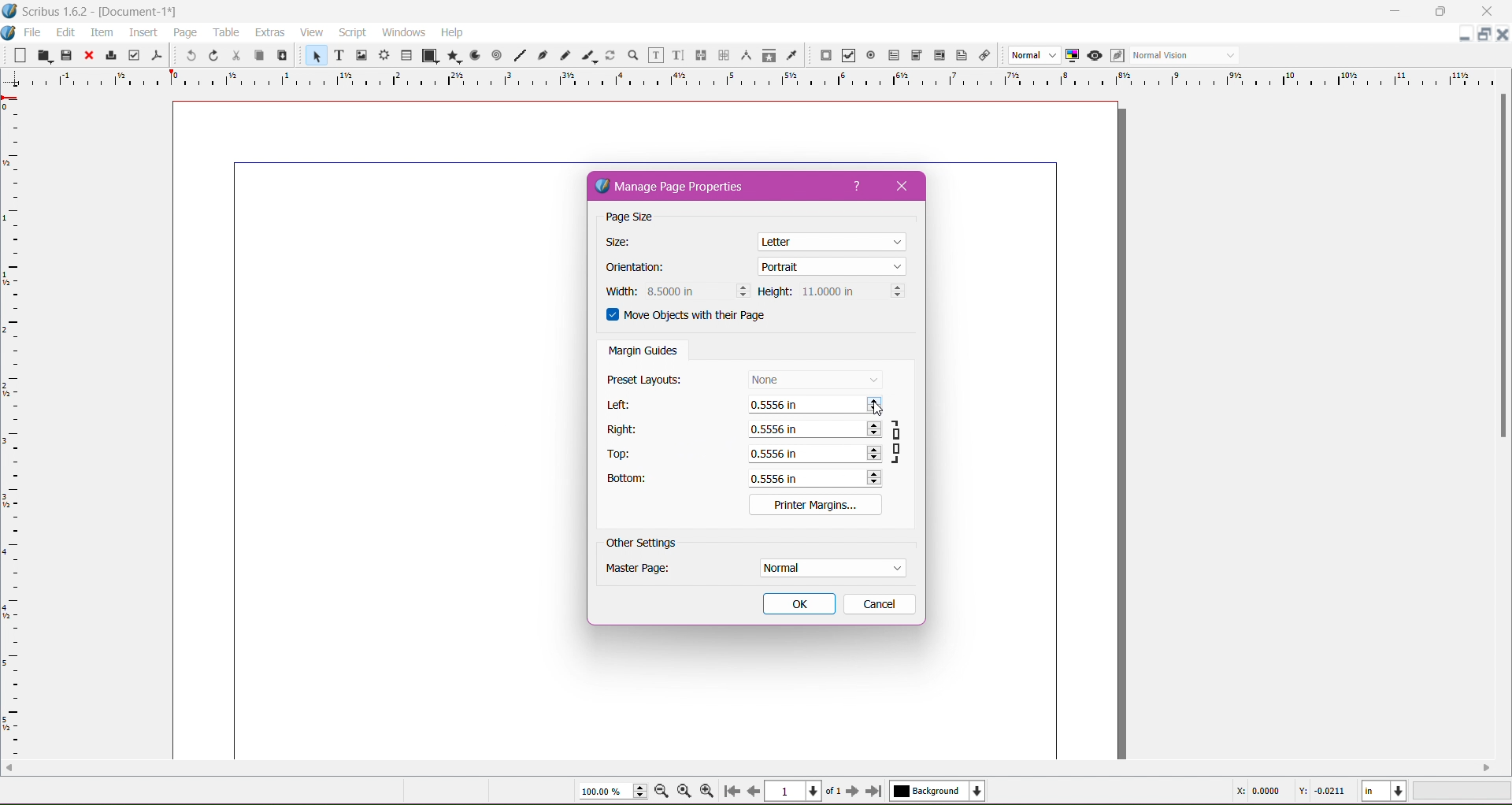 Image resolution: width=1512 pixels, height=805 pixels. Describe the element at coordinates (311, 32) in the screenshot. I see `View` at that location.